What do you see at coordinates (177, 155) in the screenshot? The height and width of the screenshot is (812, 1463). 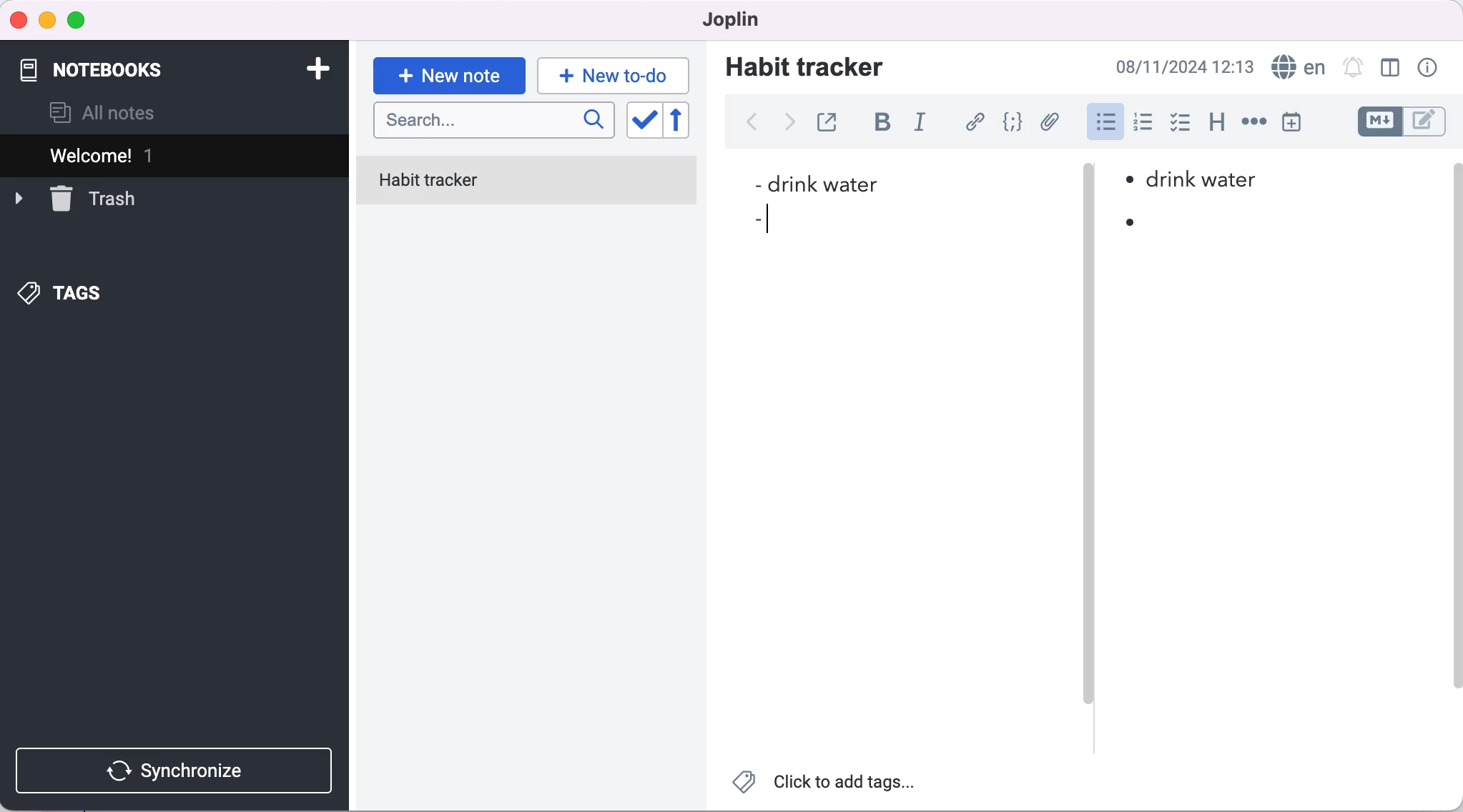 I see `welcome 1` at bounding box center [177, 155].